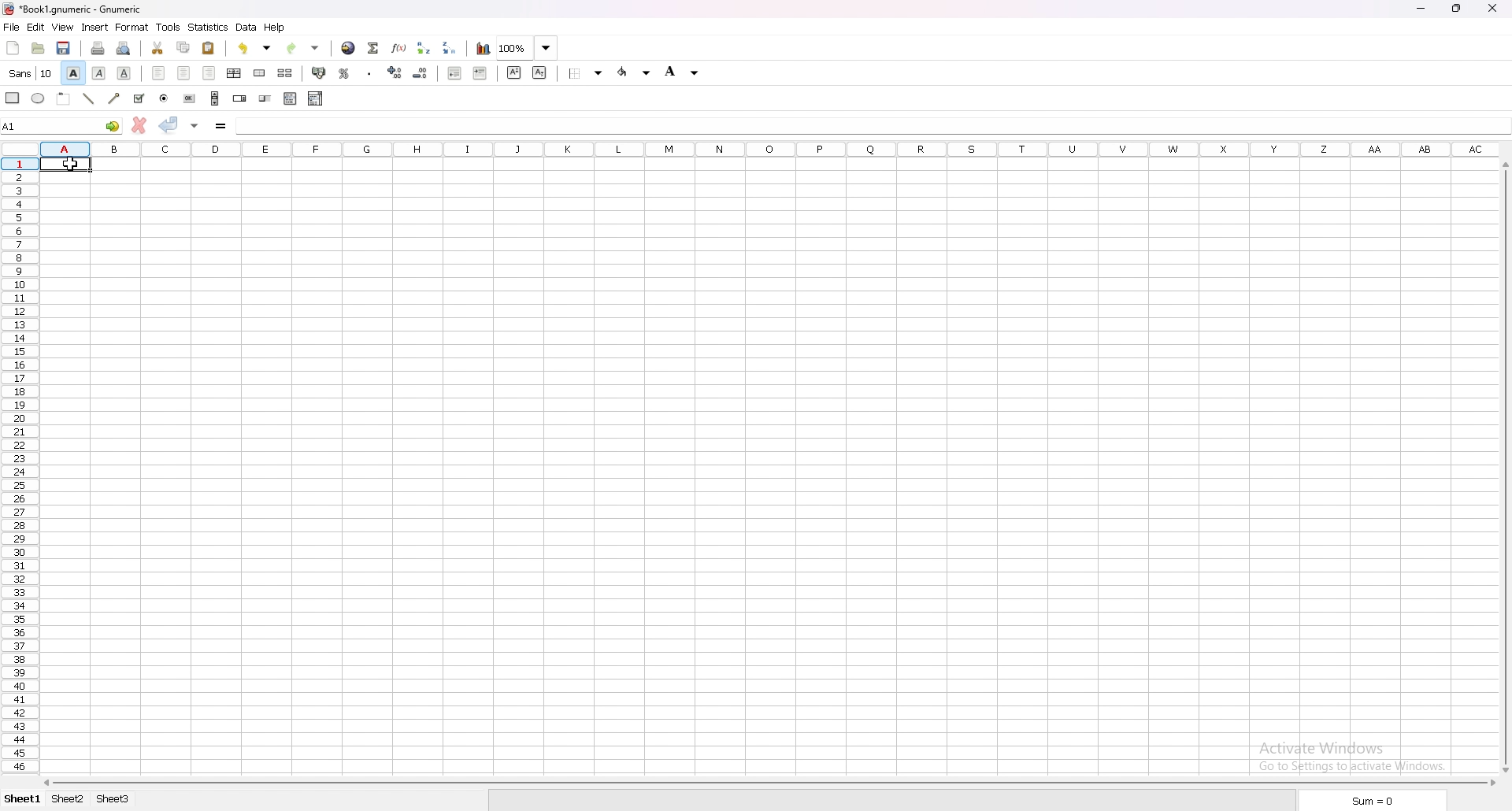  I want to click on tickbox, so click(139, 98).